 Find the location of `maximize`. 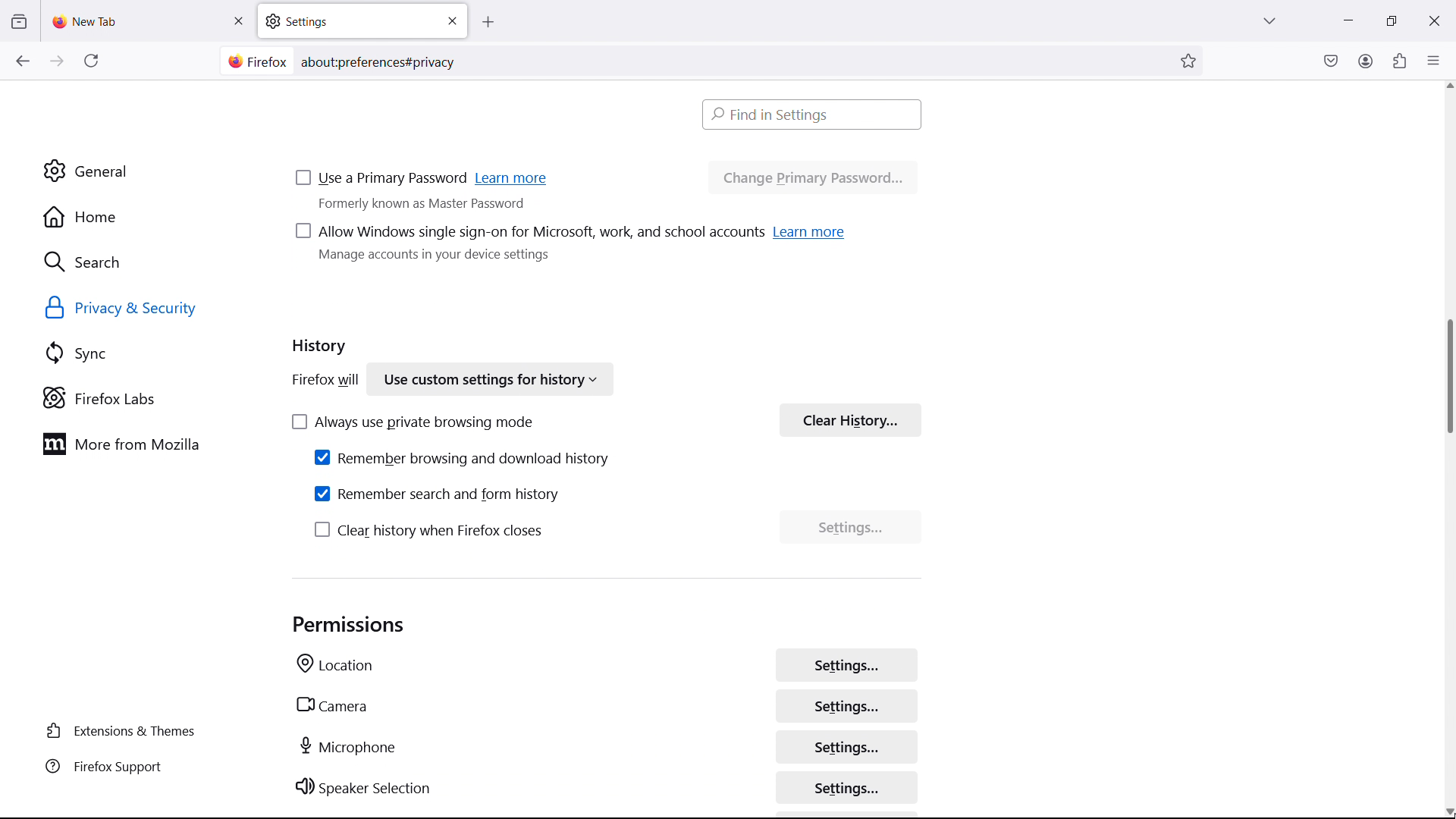

maximize is located at coordinates (1388, 21).